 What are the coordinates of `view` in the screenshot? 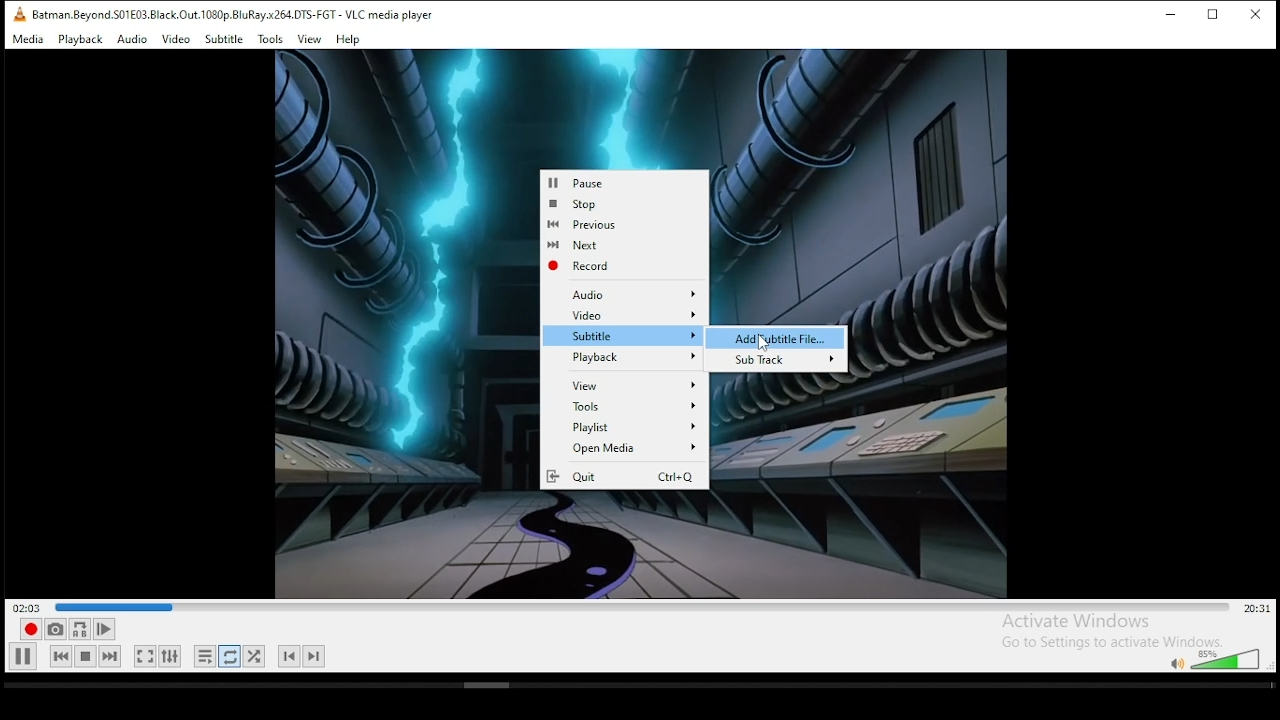 It's located at (308, 39).